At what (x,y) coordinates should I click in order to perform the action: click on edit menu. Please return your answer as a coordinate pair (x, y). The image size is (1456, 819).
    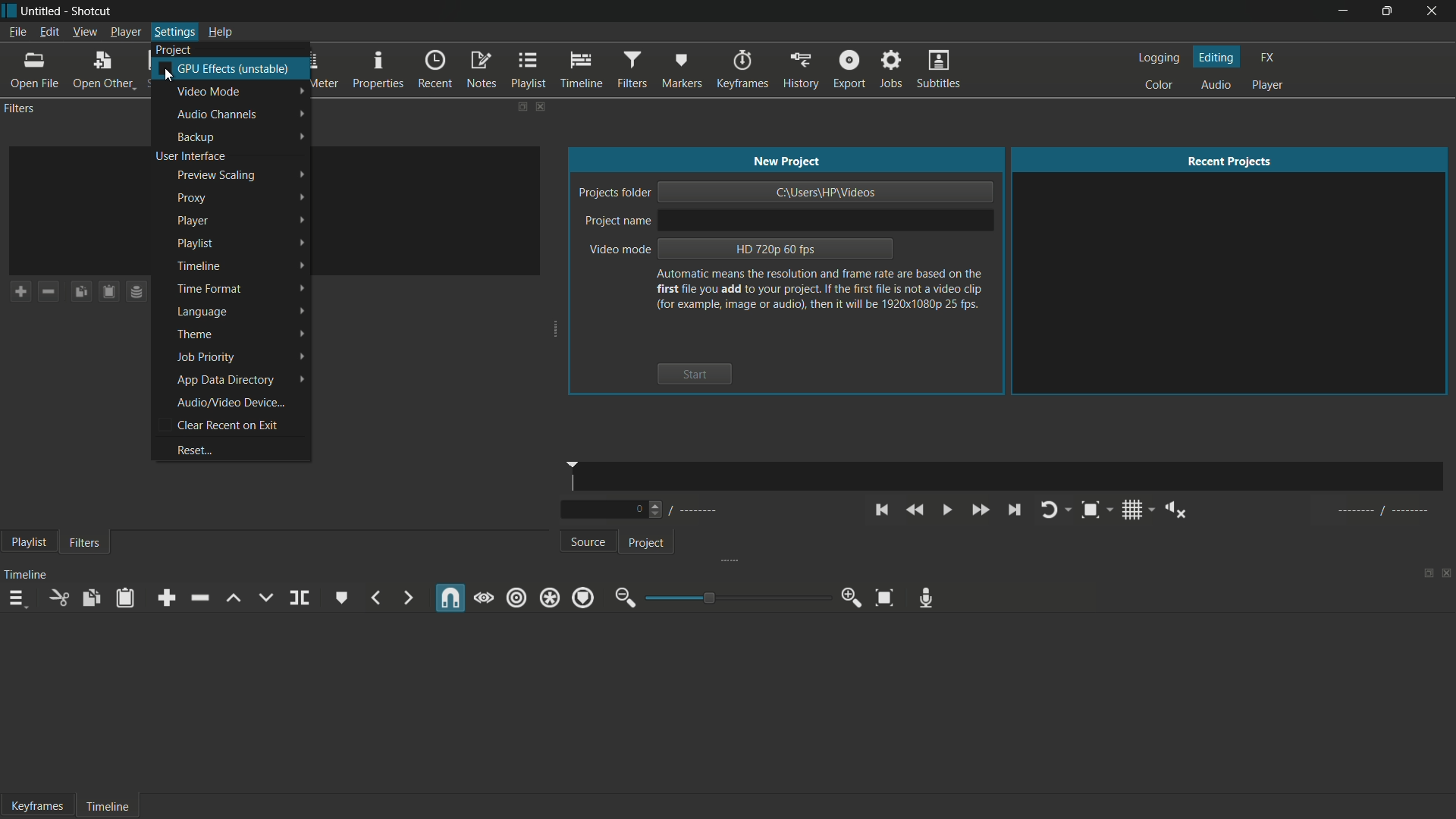
    Looking at the image, I should click on (48, 32).